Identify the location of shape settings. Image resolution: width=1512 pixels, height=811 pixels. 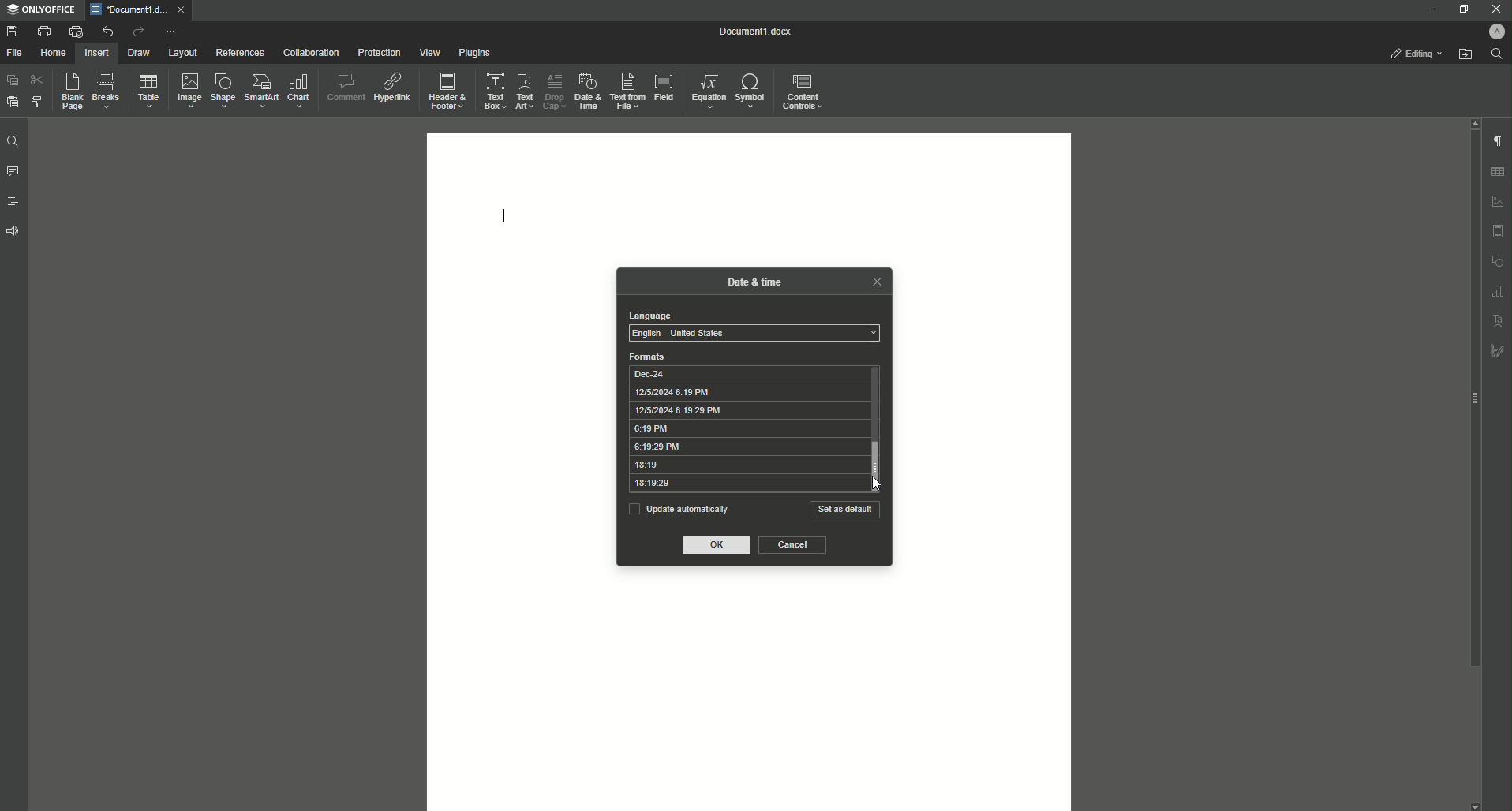
(1497, 260).